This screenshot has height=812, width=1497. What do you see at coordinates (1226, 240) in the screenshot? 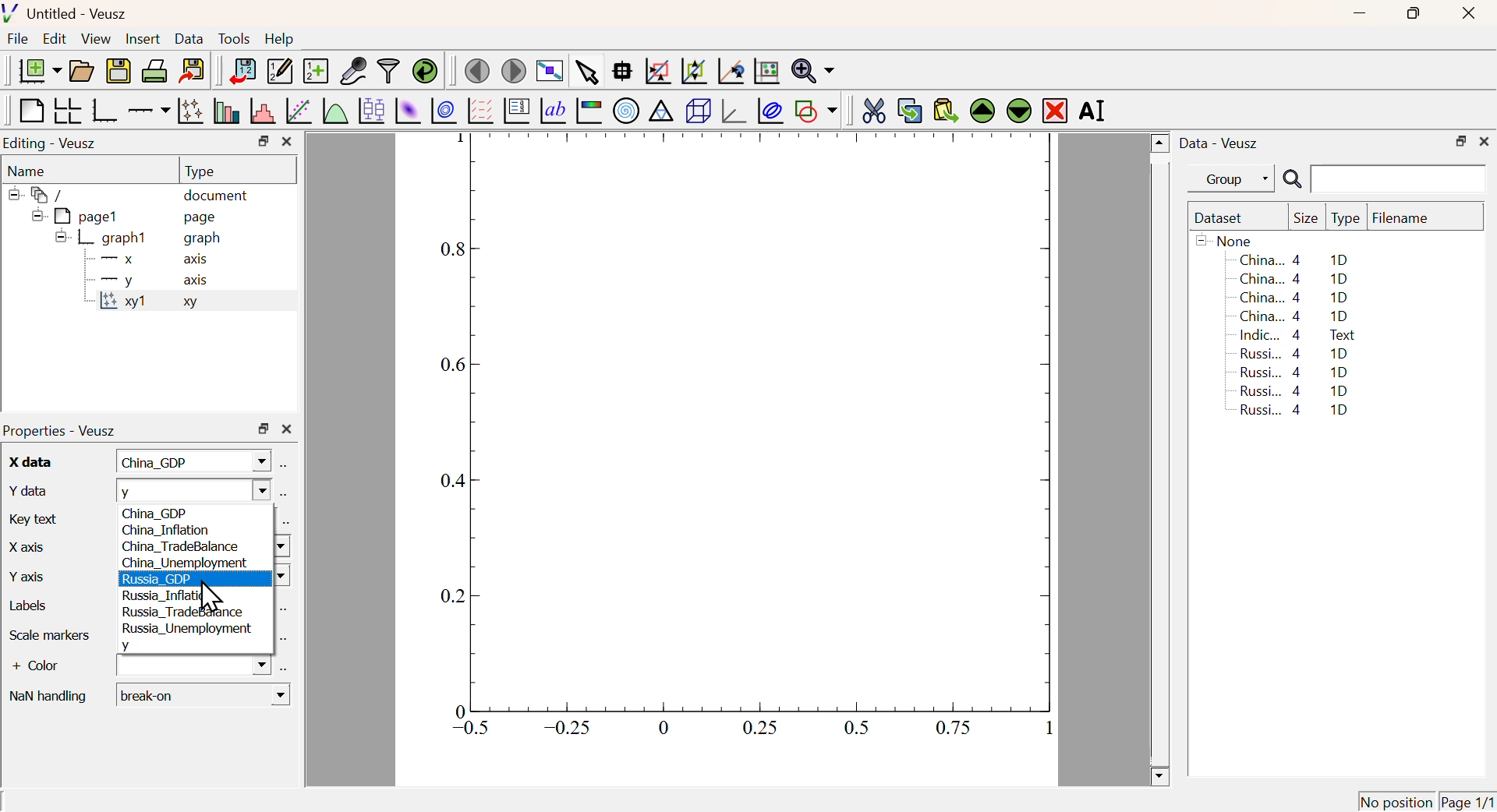
I see `None` at bounding box center [1226, 240].